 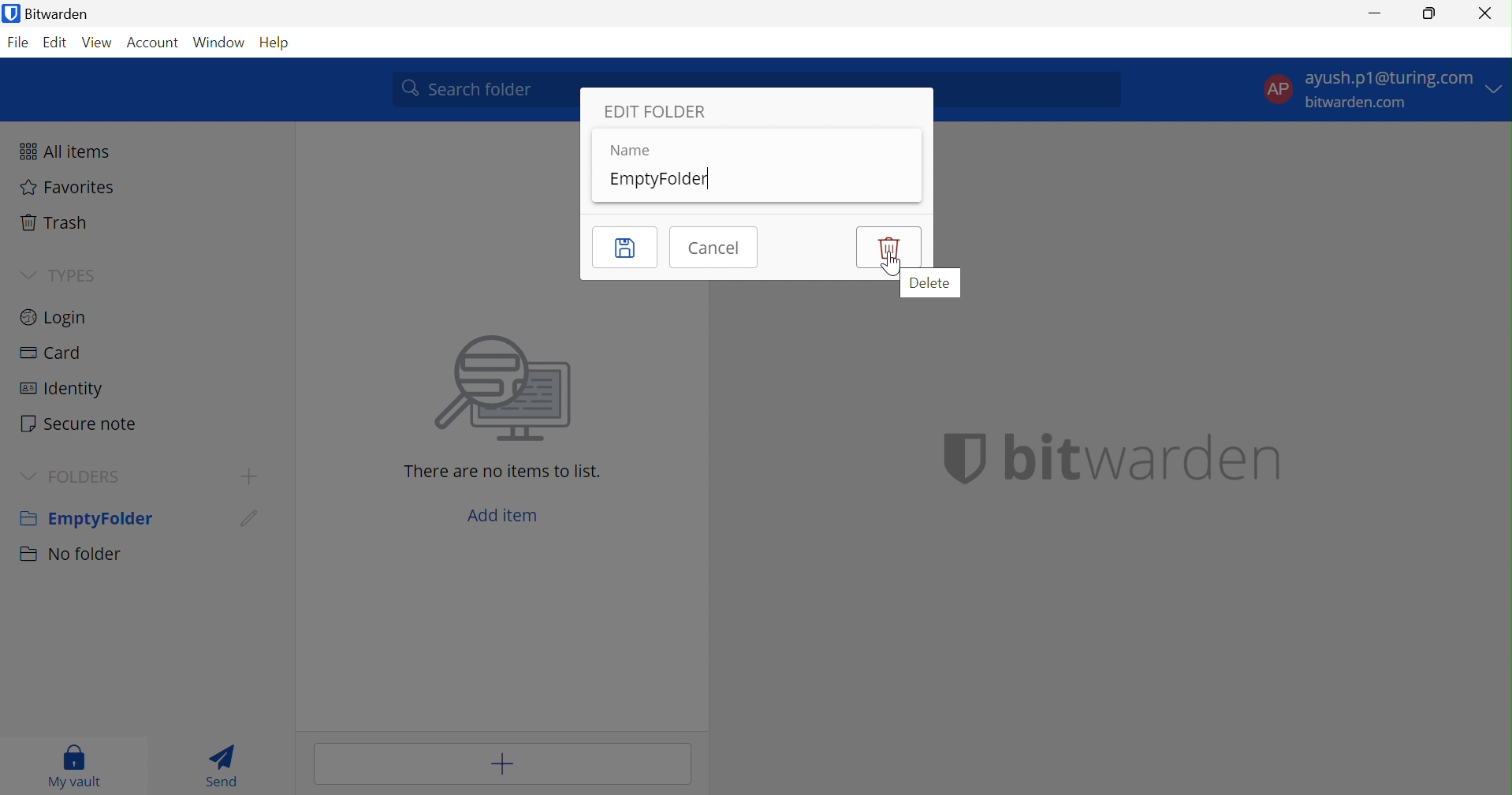 I want to click on Secure note, so click(x=78, y=424).